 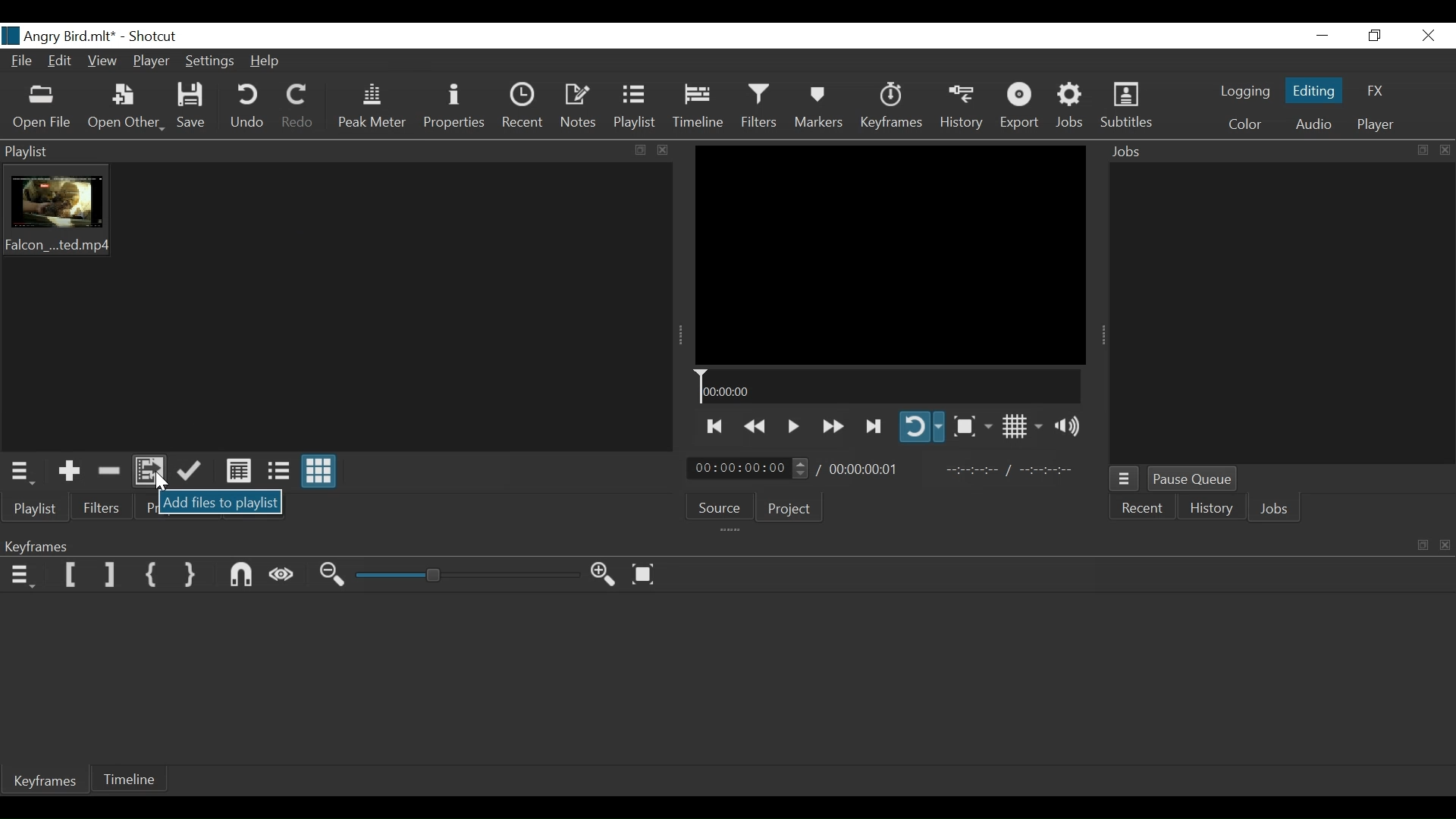 What do you see at coordinates (724, 545) in the screenshot?
I see `Keyframe Panel` at bounding box center [724, 545].